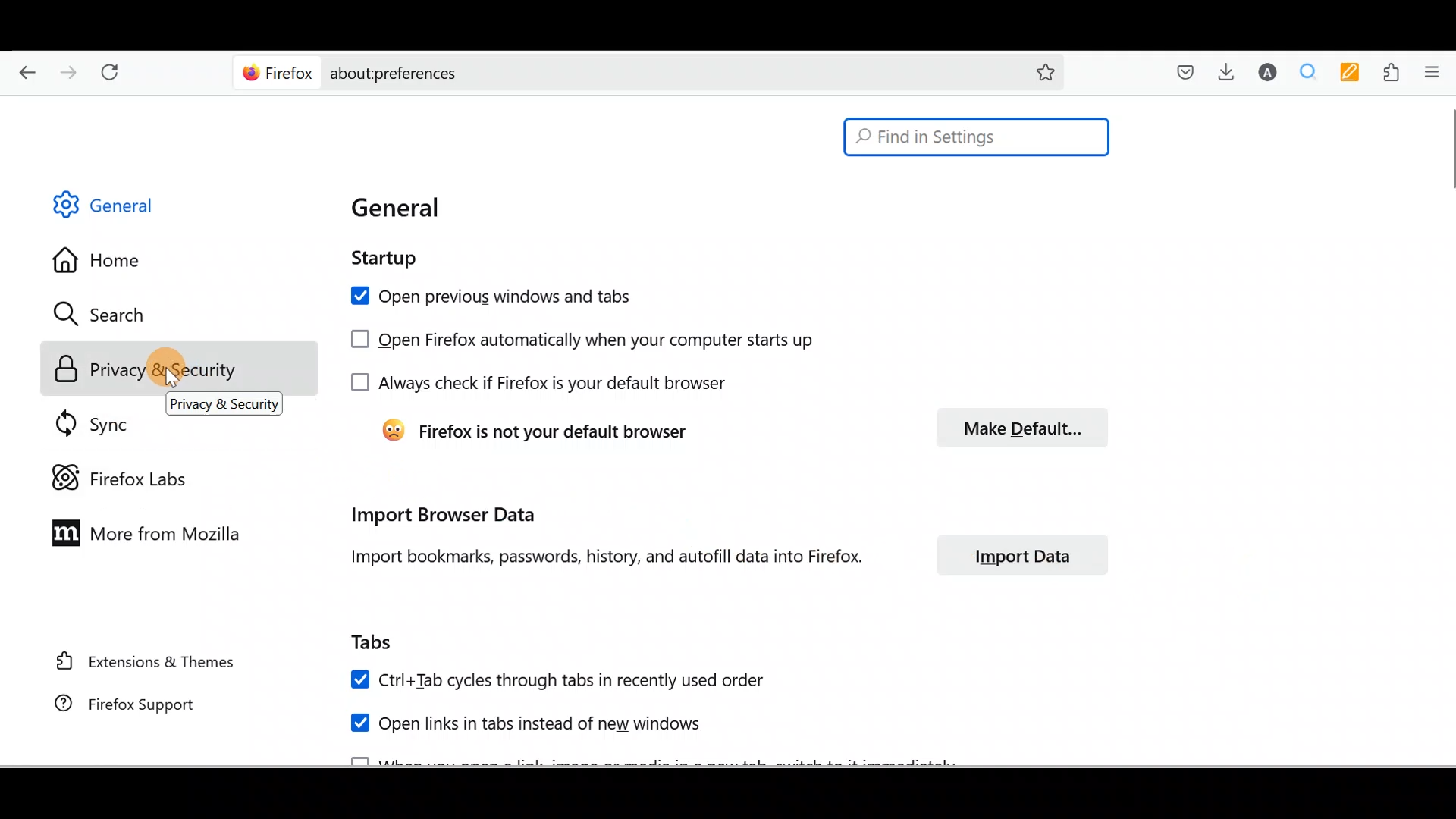 The width and height of the screenshot is (1456, 819). What do you see at coordinates (1025, 427) in the screenshot?
I see `Make default` at bounding box center [1025, 427].